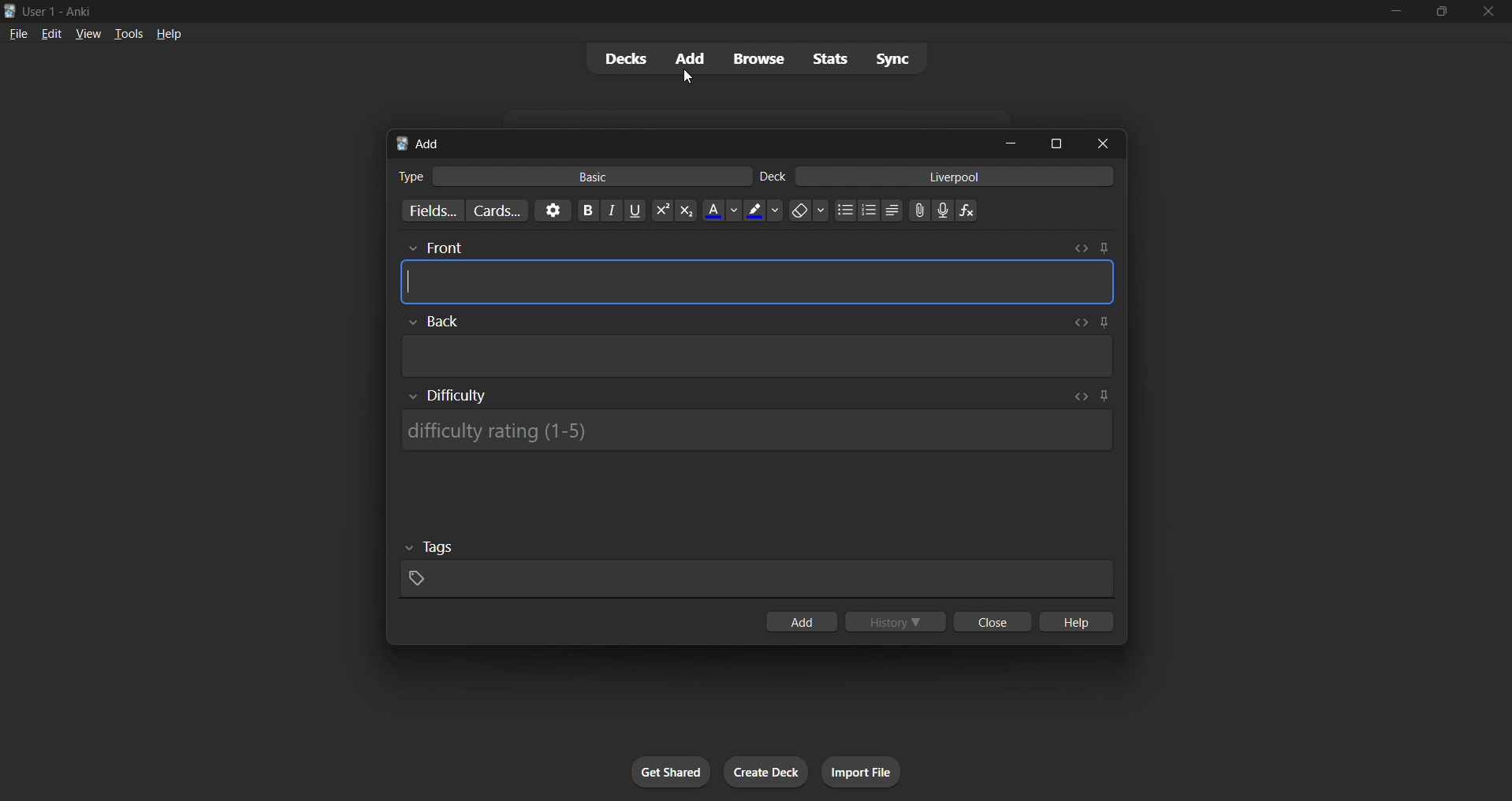 Image resolution: width=1512 pixels, height=801 pixels. Describe the element at coordinates (844, 212) in the screenshot. I see `dotted list` at that location.